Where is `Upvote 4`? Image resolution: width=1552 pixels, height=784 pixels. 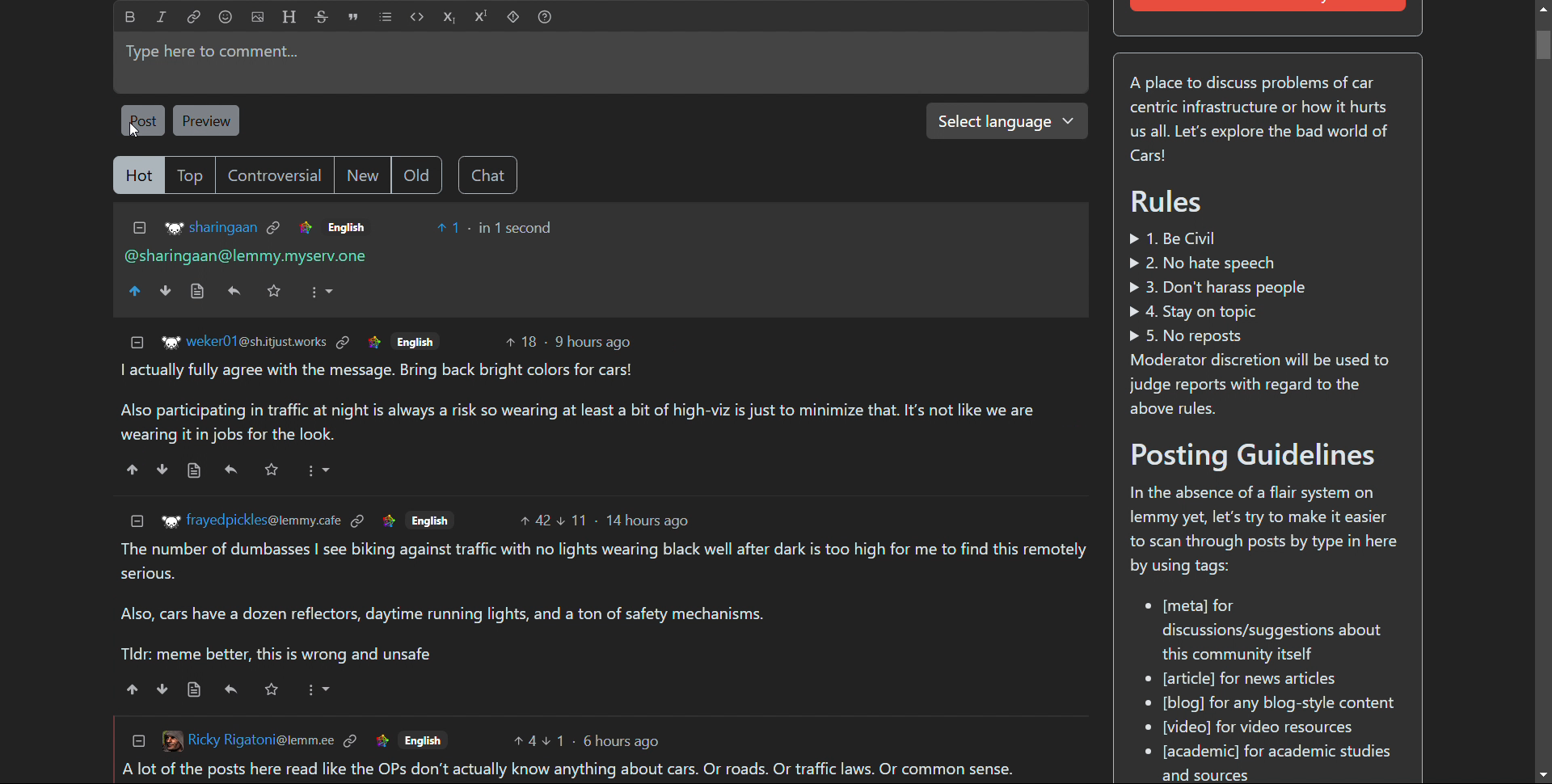 Upvote 4 is located at coordinates (525, 742).